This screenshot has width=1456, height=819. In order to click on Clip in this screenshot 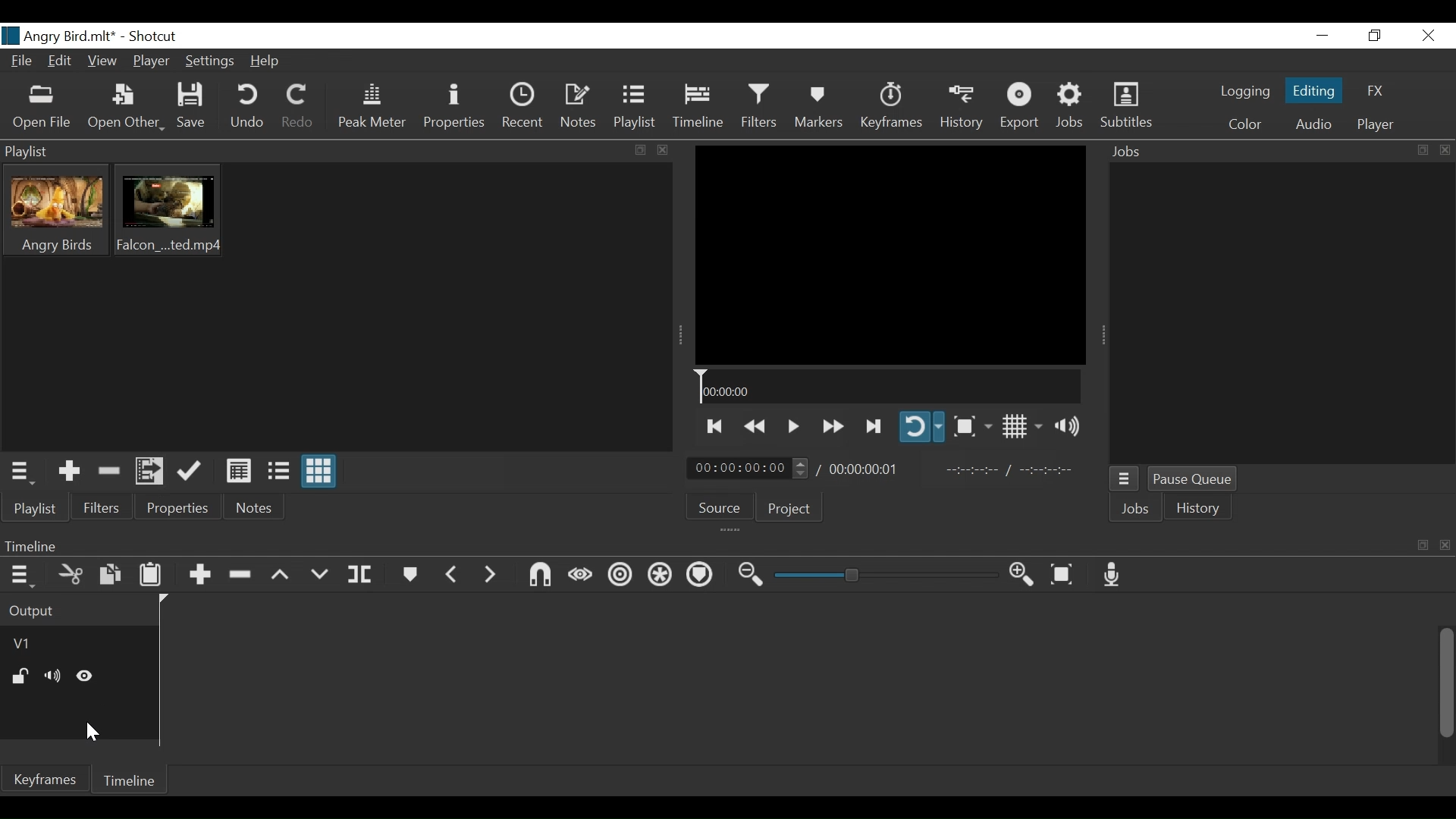, I will do `click(169, 212)`.